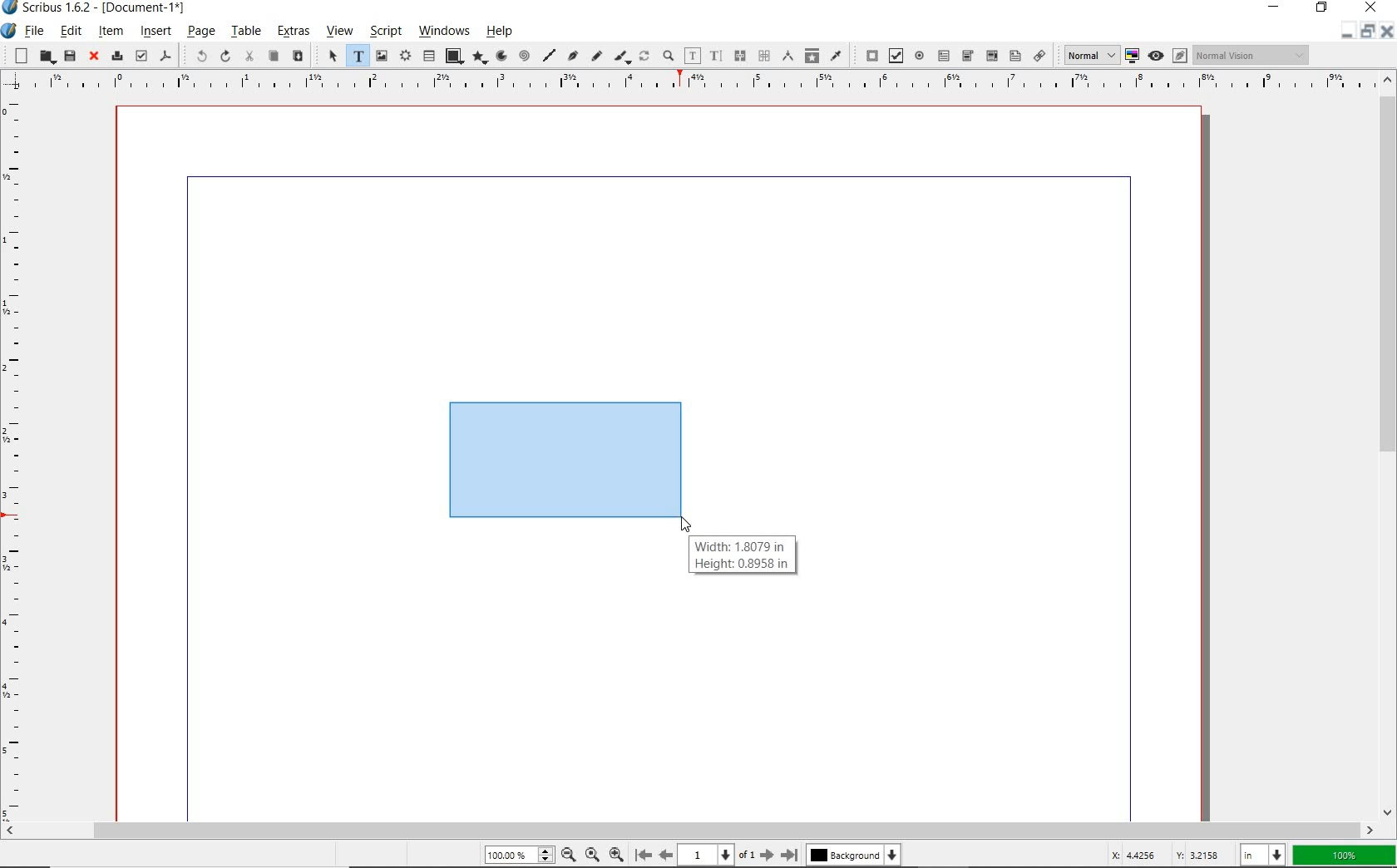 The height and width of the screenshot is (868, 1397). I want to click on polygon, so click(481, 58).